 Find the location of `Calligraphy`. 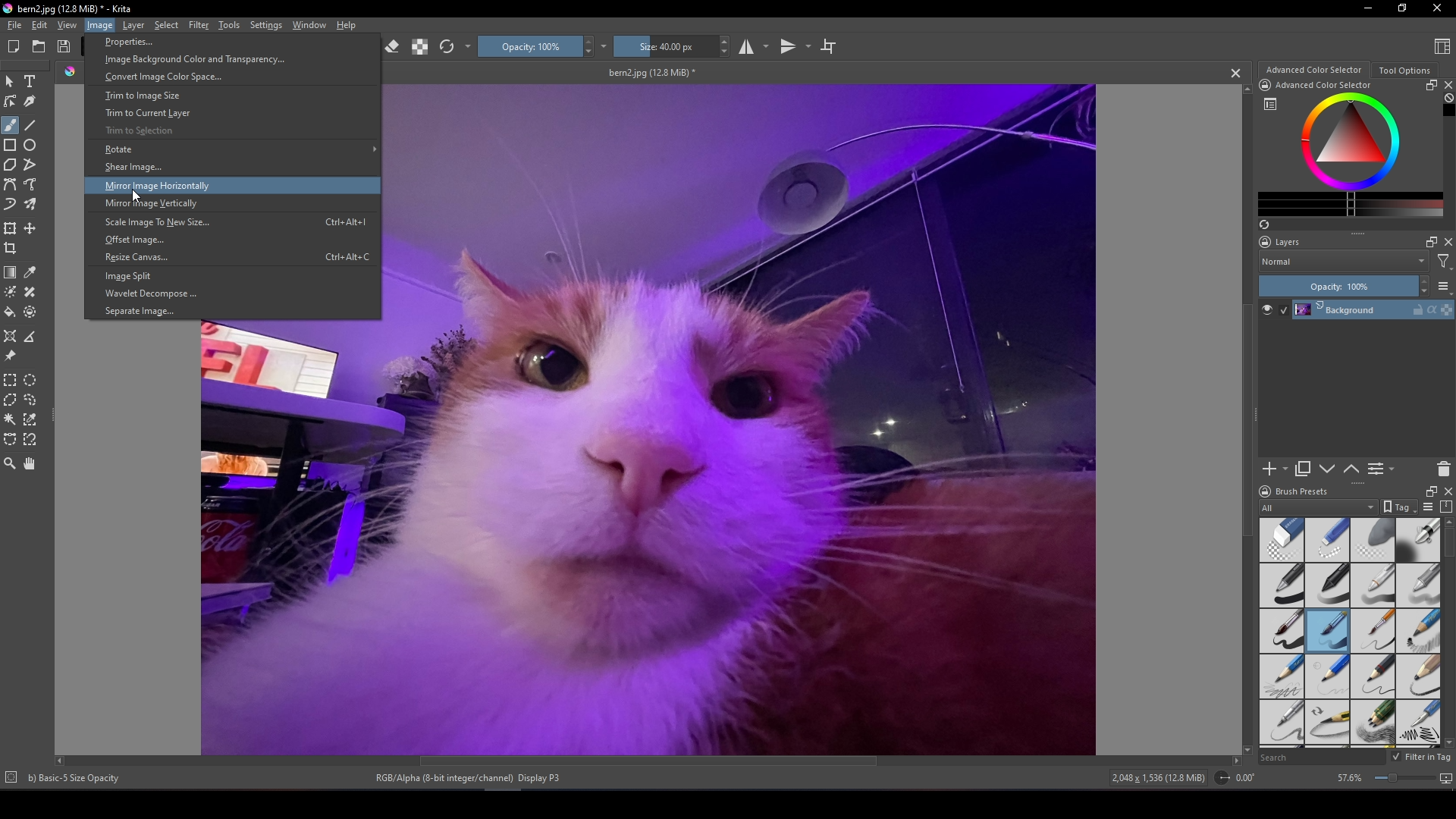

Calligraphy is located at coordinates (30, 101).